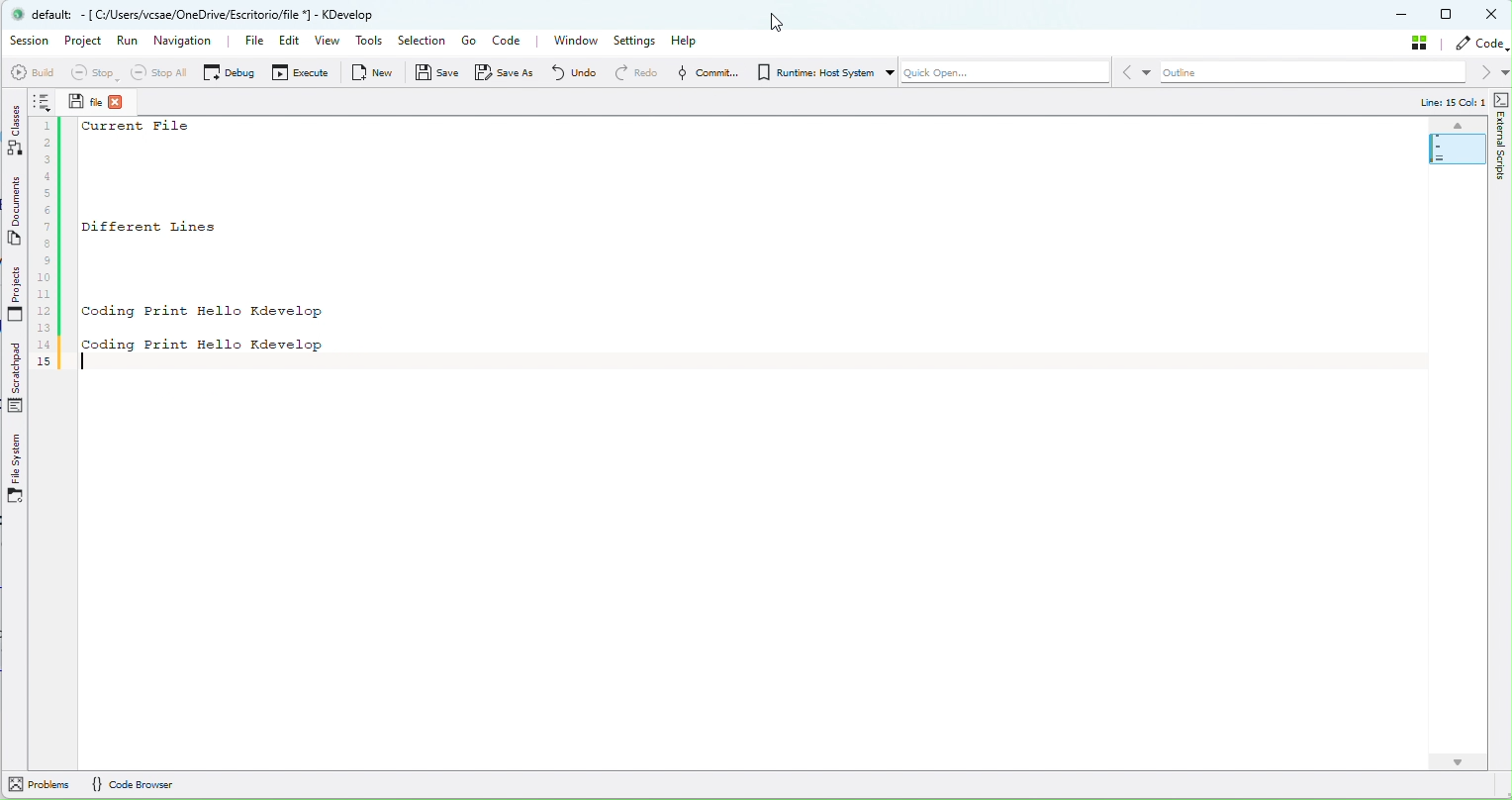 This screenshot has height=800, width=1512. I want to click on Save as, so click(509, 72).